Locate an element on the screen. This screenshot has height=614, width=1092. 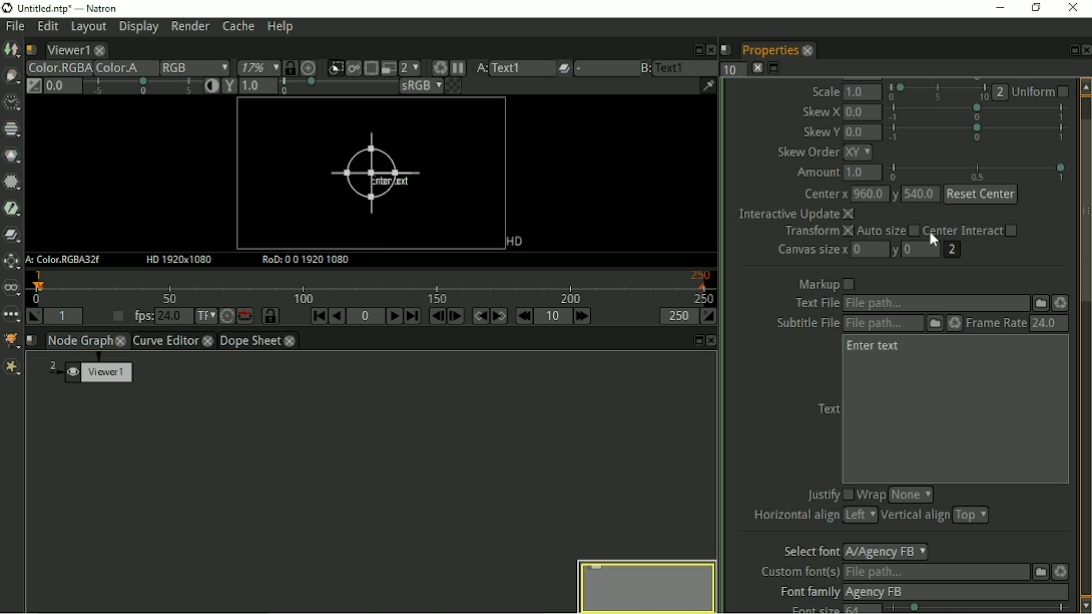
Float pane is located at coordinates (1070, 50).